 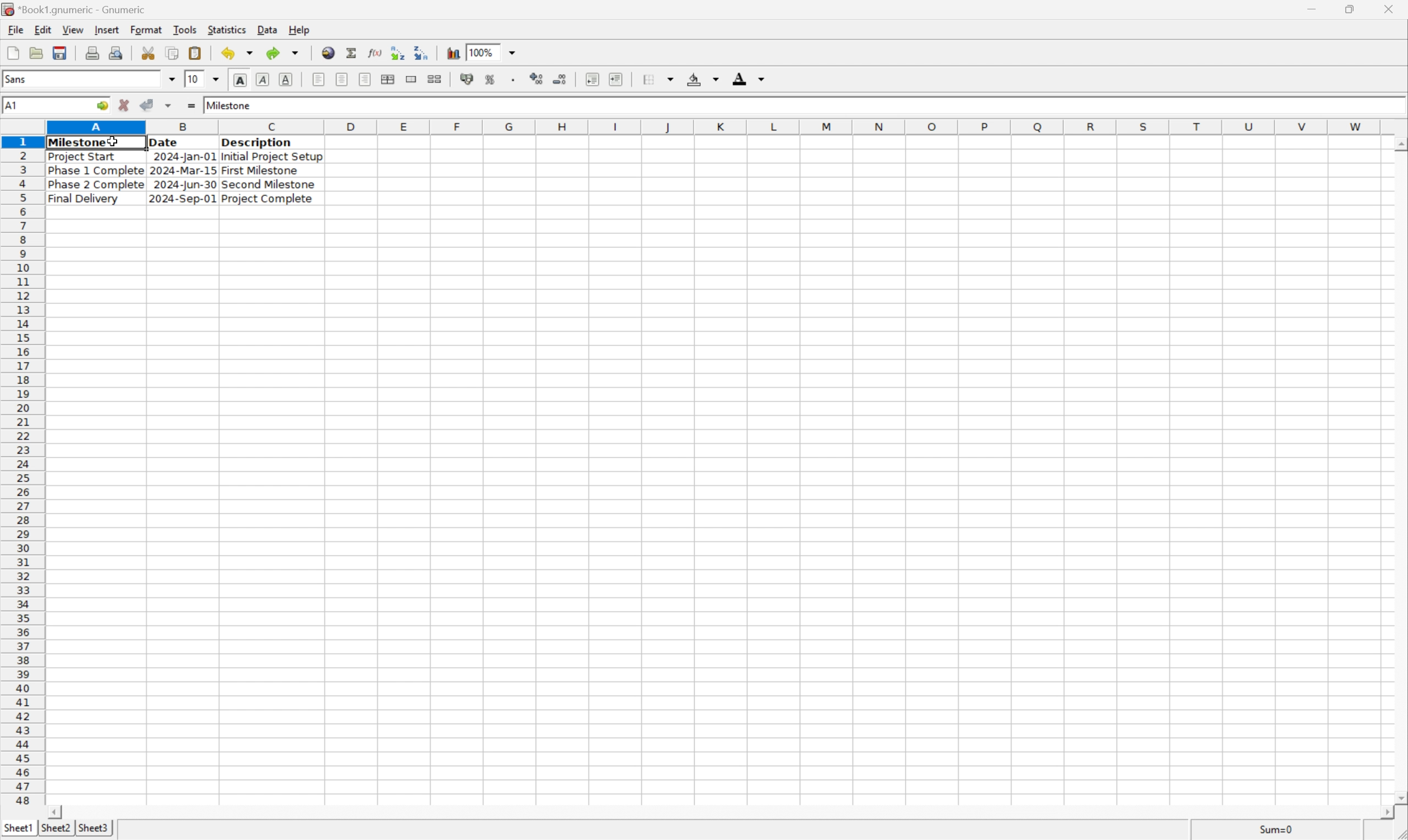 What do you see at coordinates (267, 27) in the screenshot?
I see `data` at bounding box center [267, 27].